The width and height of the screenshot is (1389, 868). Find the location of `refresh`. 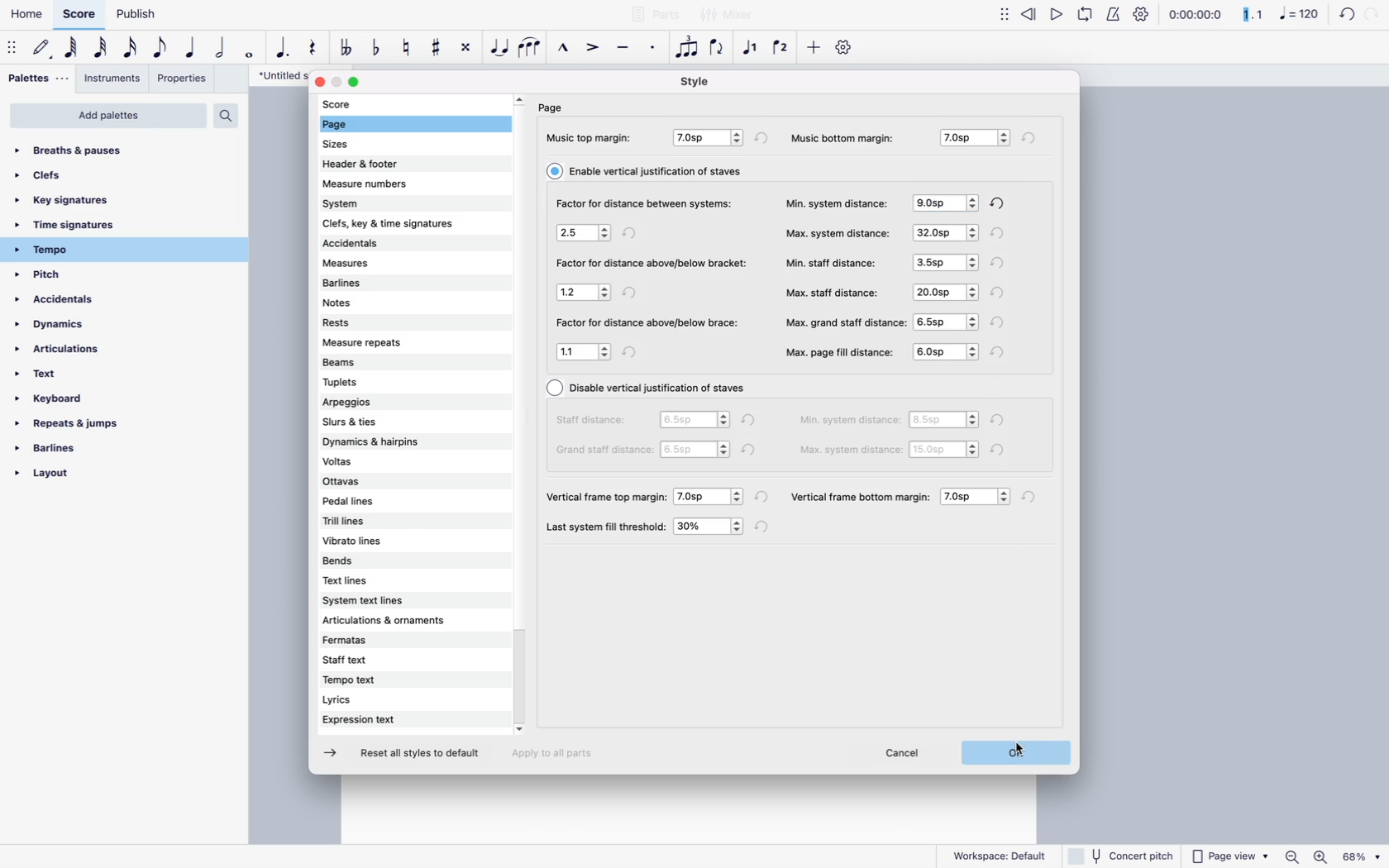

refresh is located at coordinates (632, 235).